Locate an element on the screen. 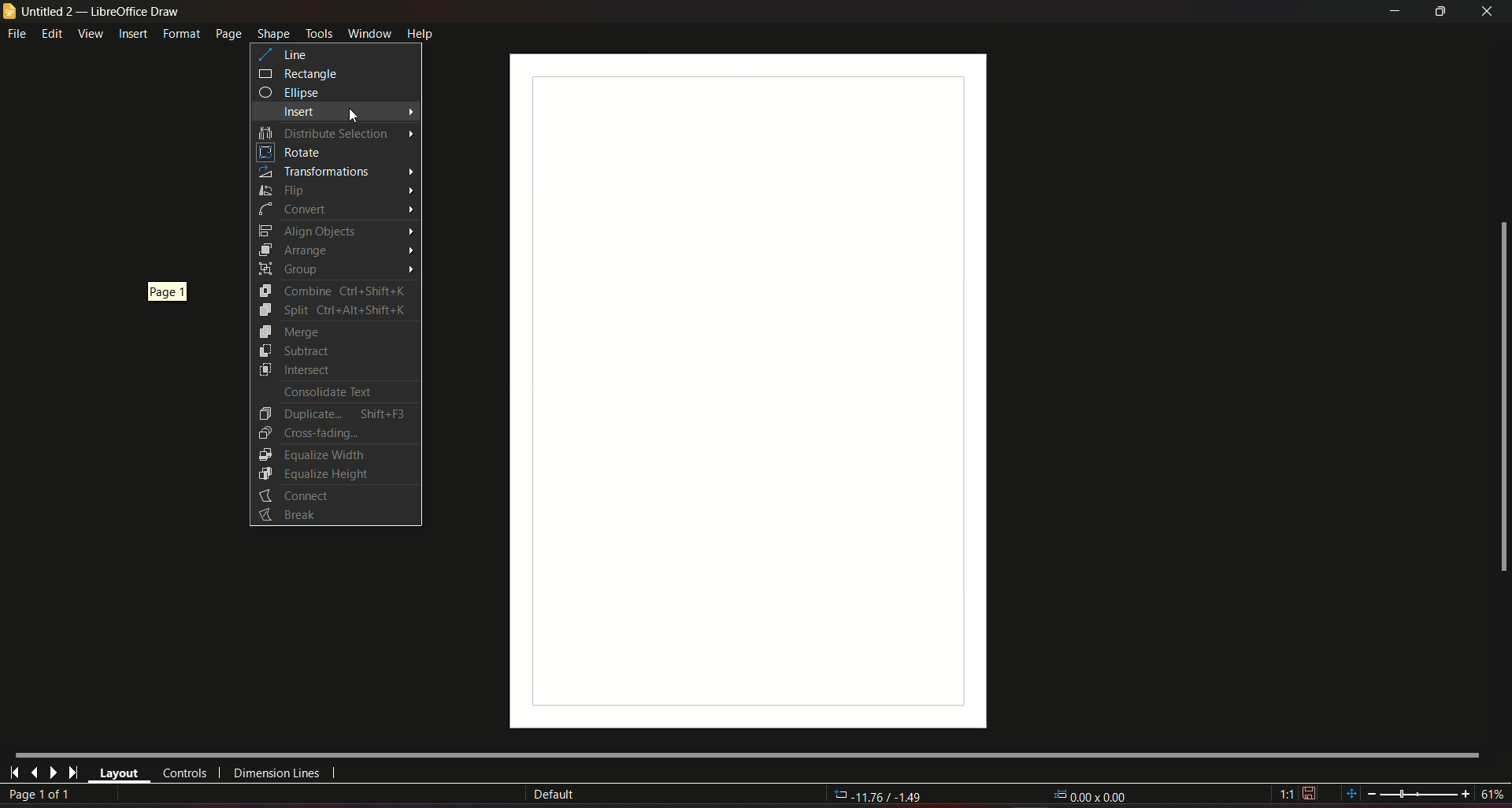 The height and width of the screenshot is (808, 1512). workspace is located at coordinates (760, 384).